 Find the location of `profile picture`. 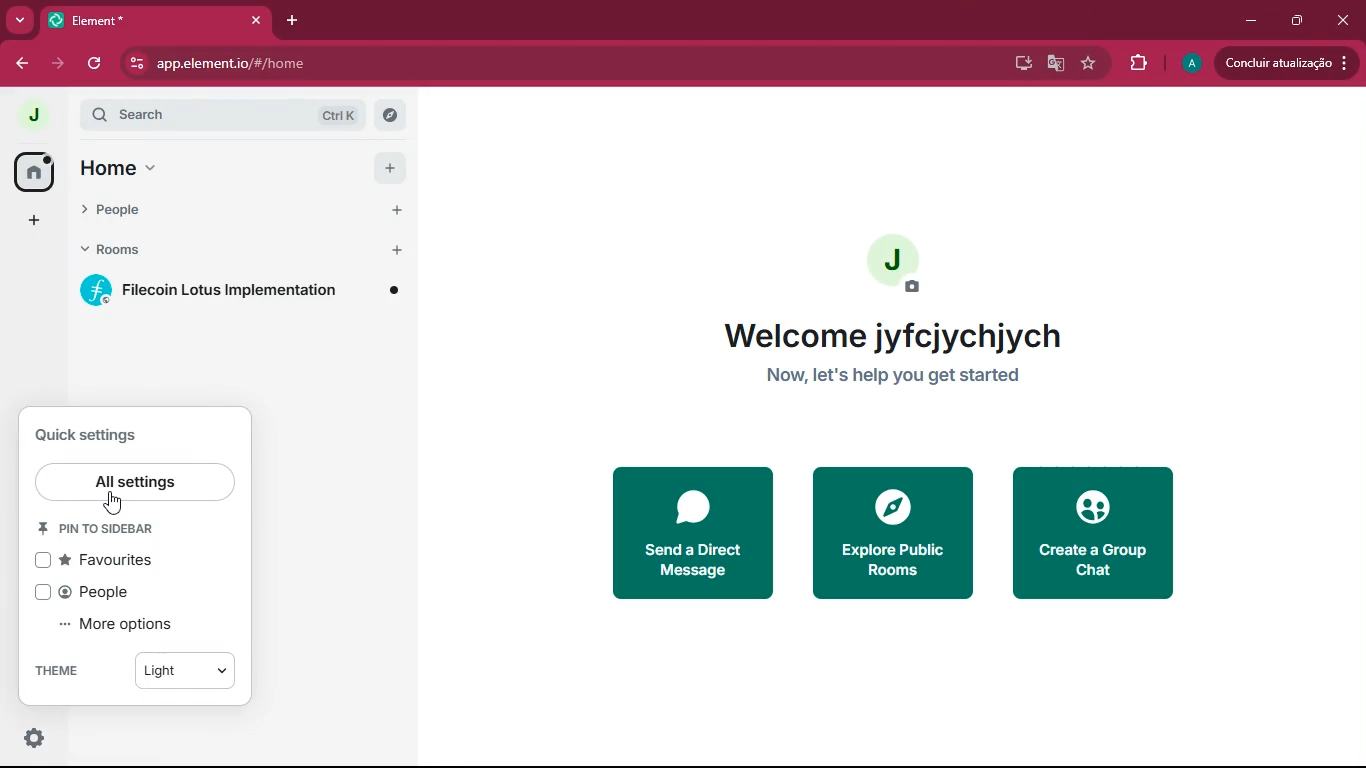

profile picture is located at coordinates (36, 116).